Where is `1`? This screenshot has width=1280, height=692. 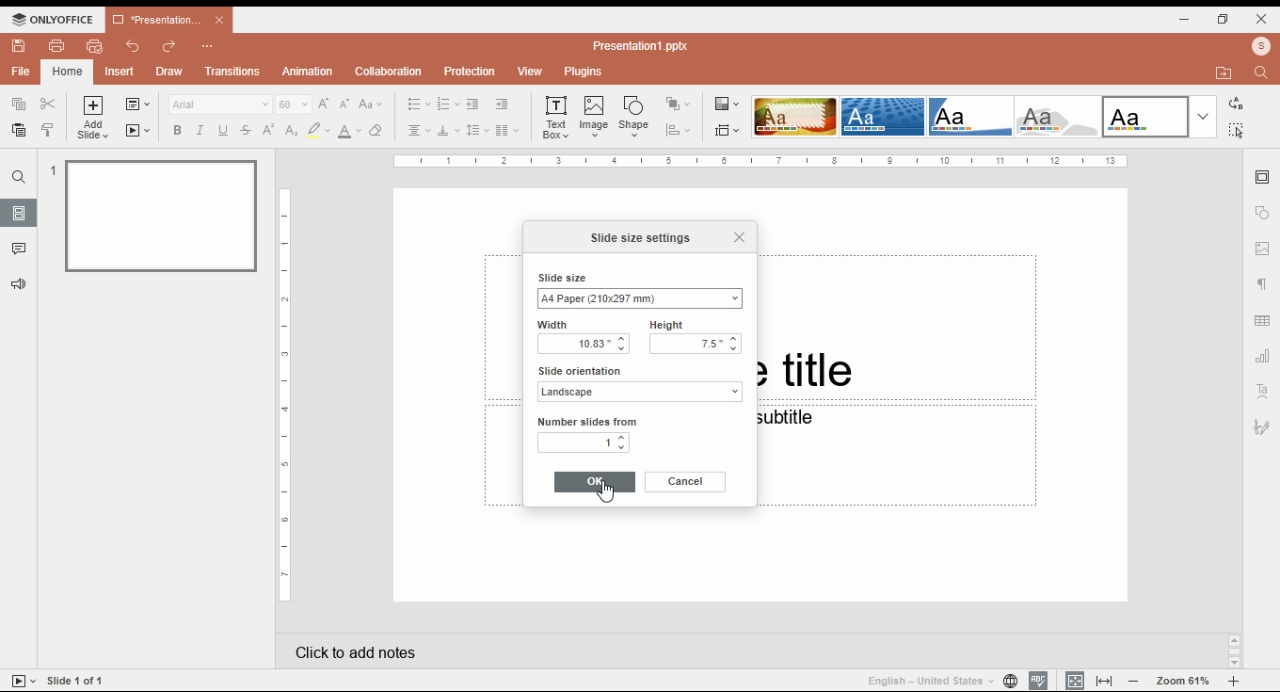
1 is located at coordinates (586, 443).